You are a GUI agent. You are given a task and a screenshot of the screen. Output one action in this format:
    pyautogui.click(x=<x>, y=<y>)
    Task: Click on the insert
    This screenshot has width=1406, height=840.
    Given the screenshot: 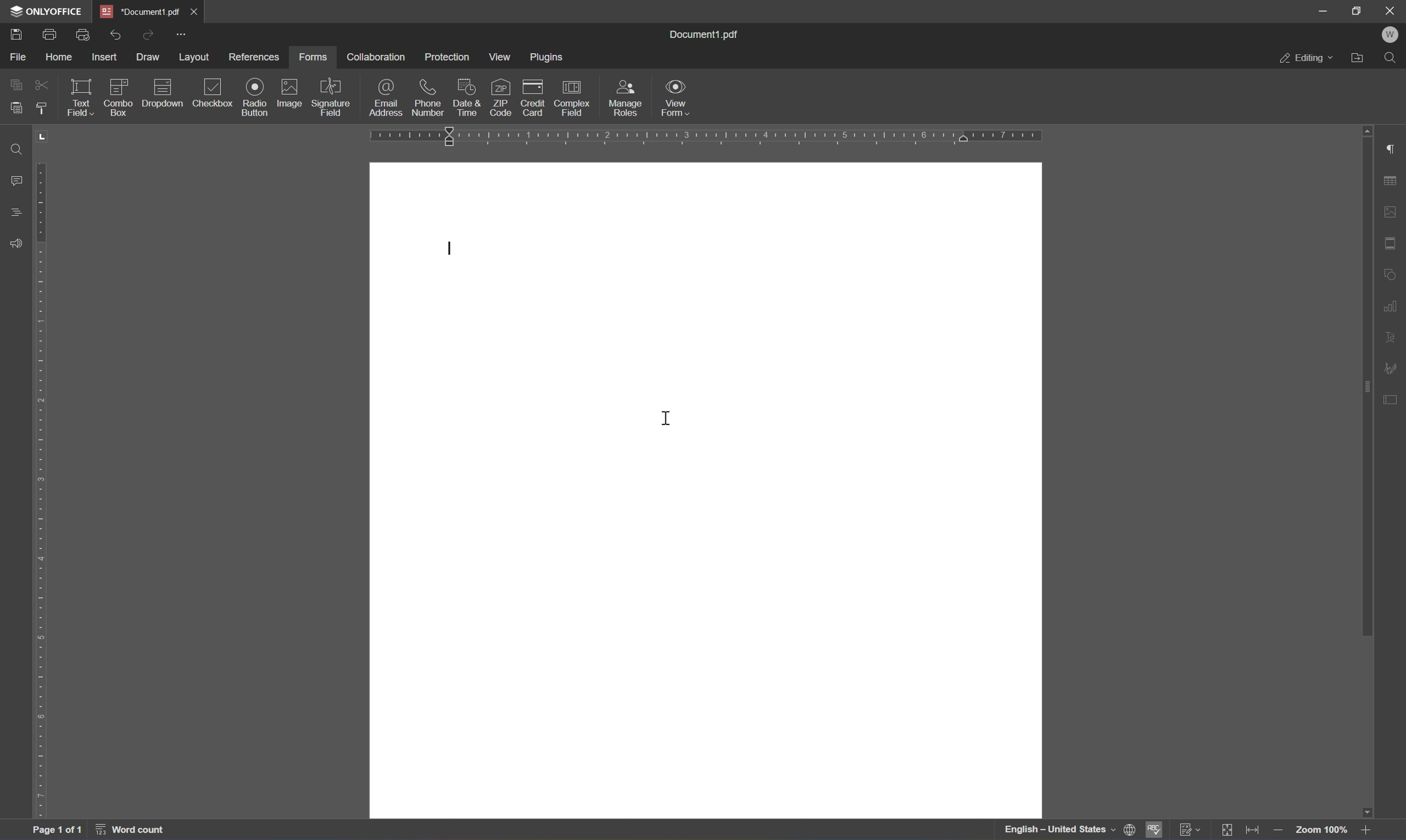 What is the action you would take?
    pyautogui.click(x=105, y=58)
    